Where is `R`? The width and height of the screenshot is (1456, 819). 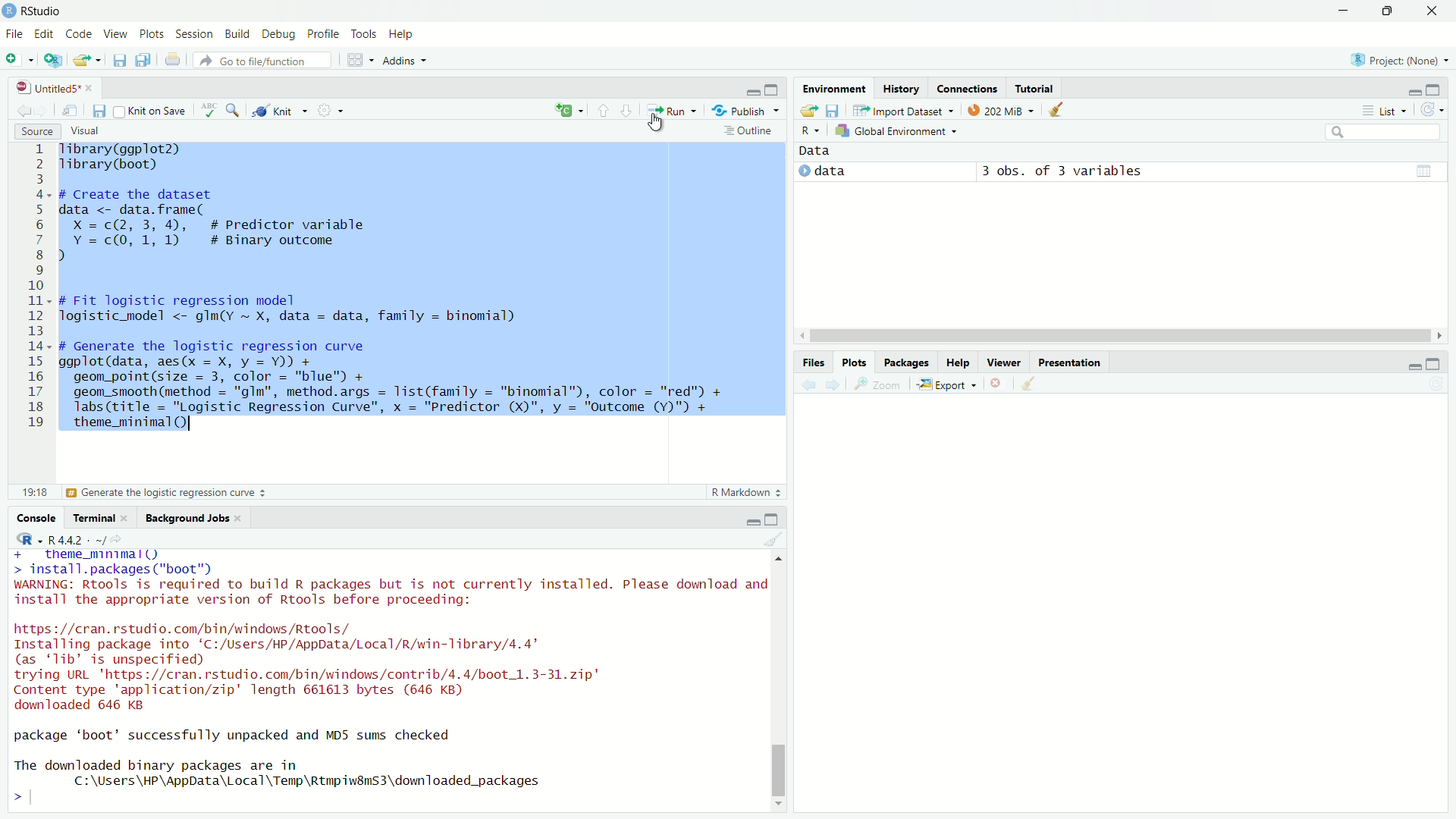
R is located at coordinates (30, 539).